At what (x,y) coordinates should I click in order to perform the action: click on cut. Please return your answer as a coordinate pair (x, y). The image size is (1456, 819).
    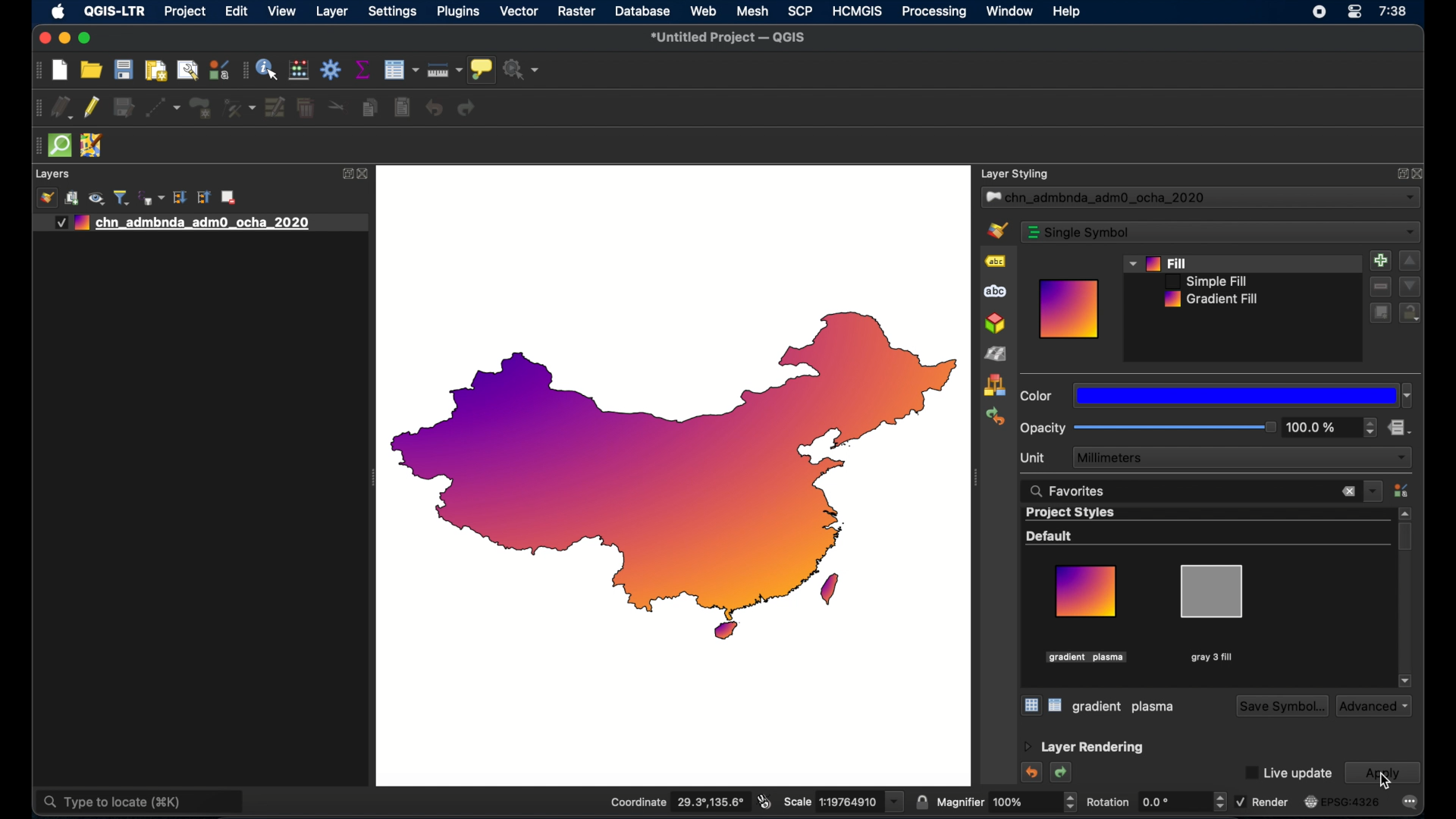
    Looking at the image, I should click on (339, 105).